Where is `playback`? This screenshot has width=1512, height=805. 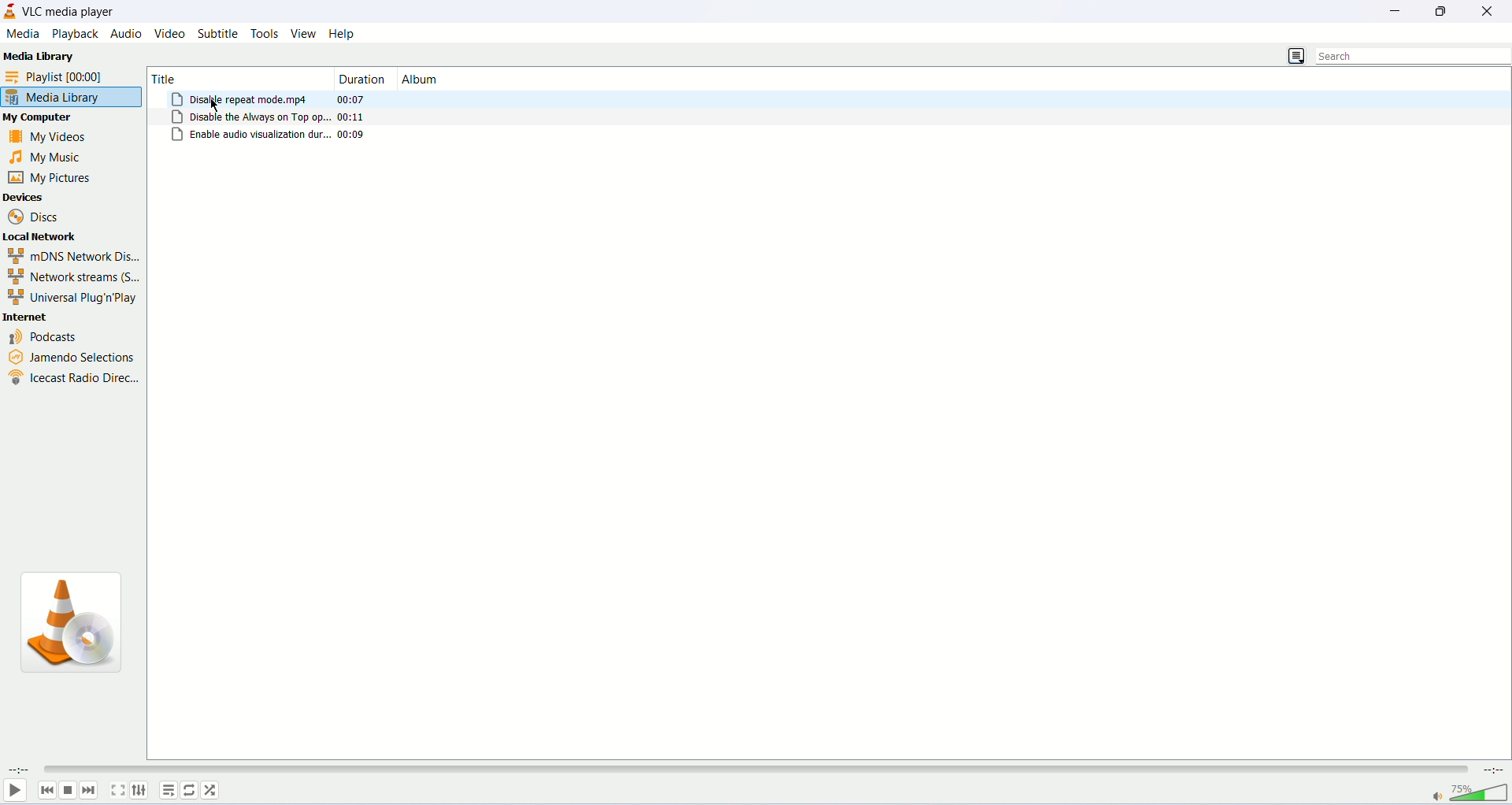 playback is located at coordinates (74, 34).